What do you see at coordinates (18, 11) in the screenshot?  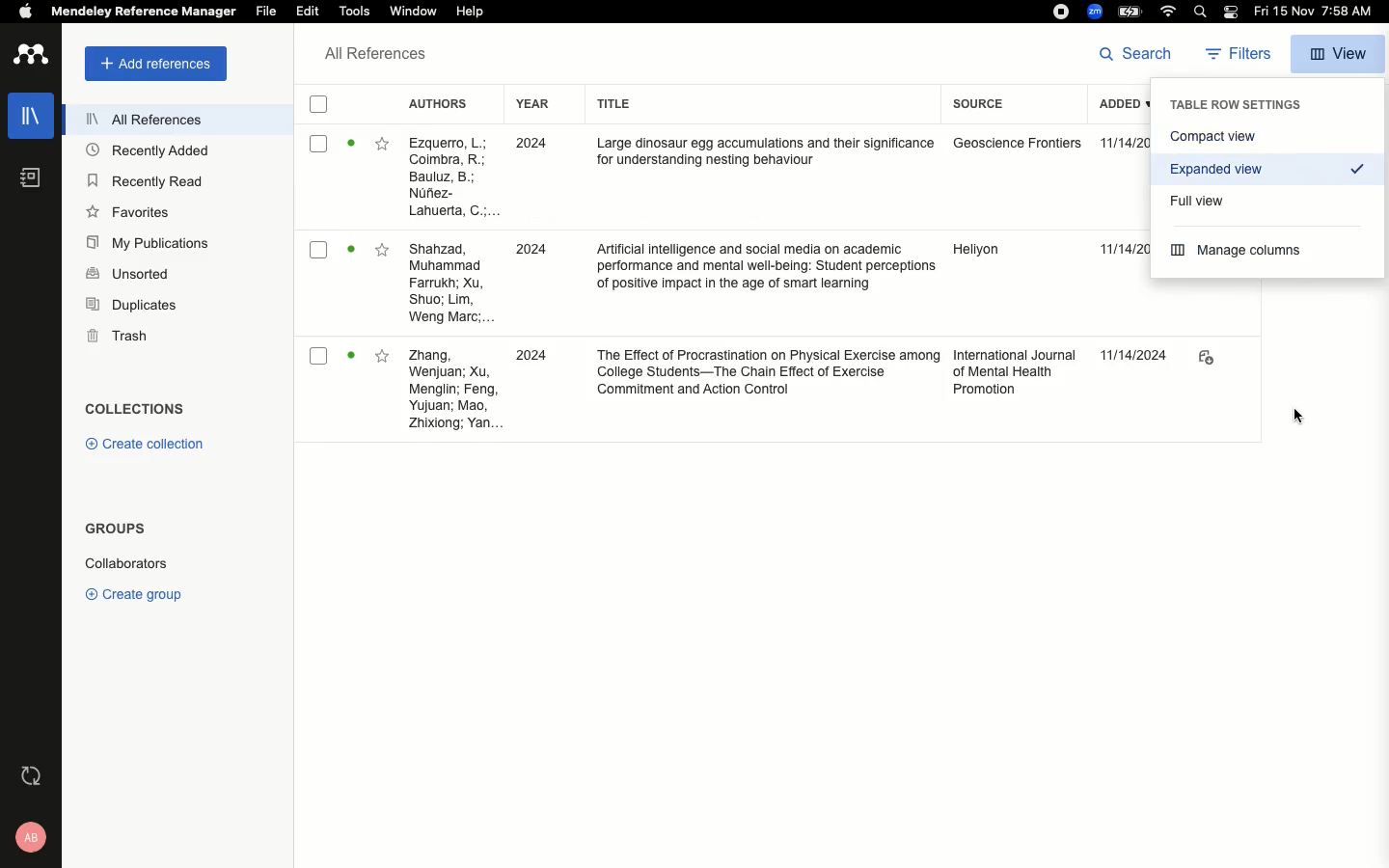 I see `Apple logo` at bounding box center [18, 11].